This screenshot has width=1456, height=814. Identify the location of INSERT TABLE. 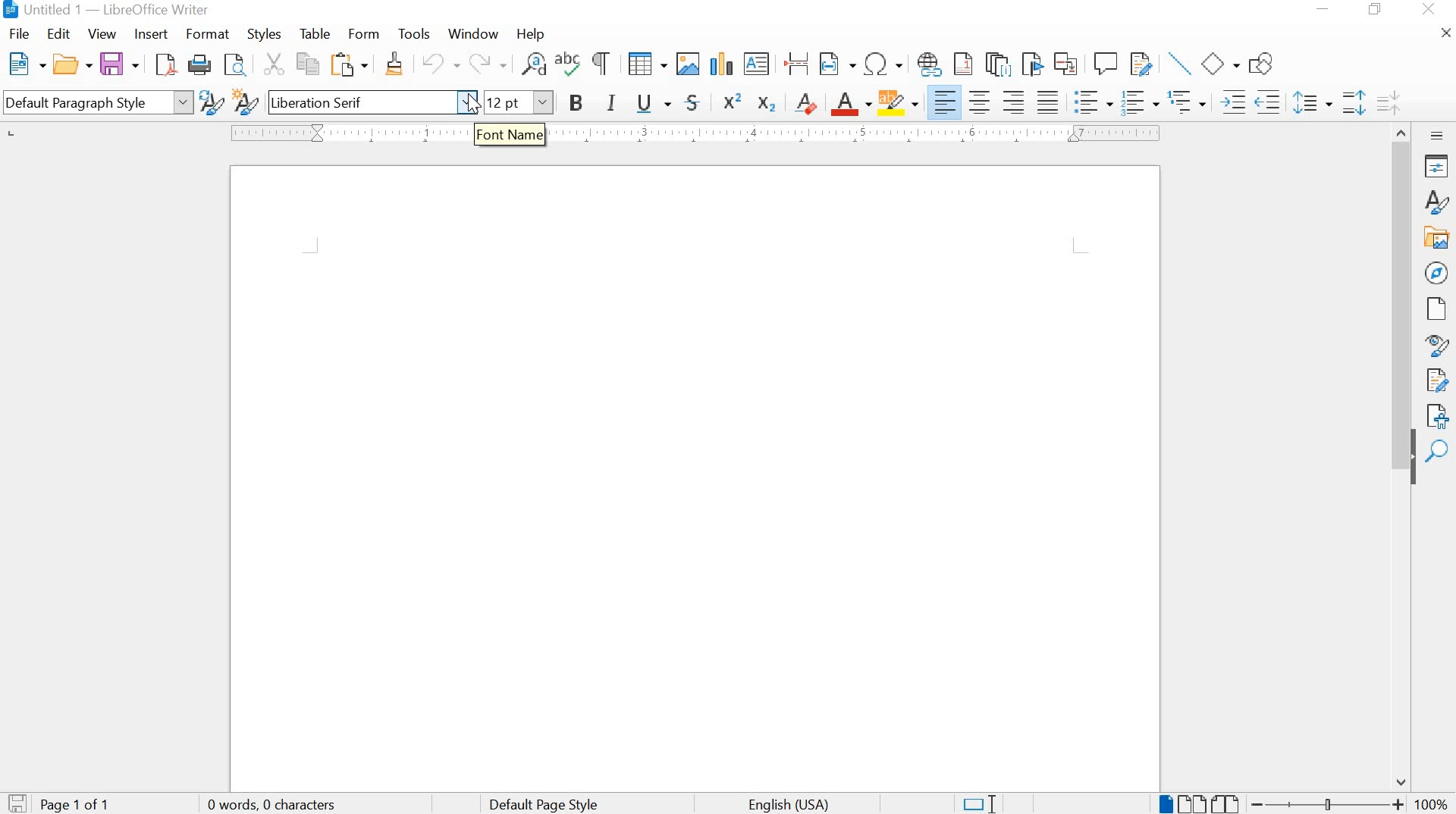
(645, 64).